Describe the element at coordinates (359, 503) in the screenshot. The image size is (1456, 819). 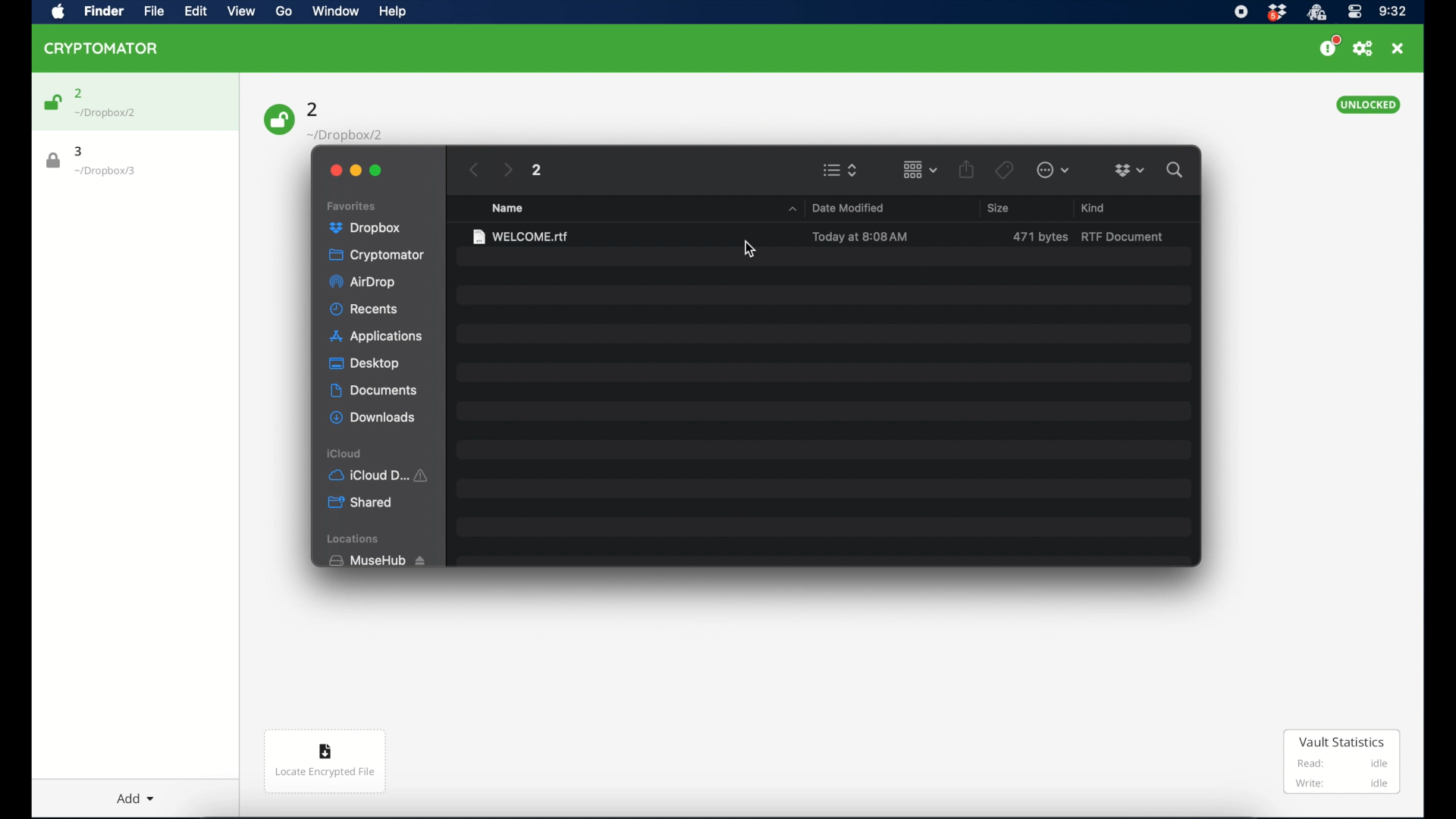
I see `shared` at that location.